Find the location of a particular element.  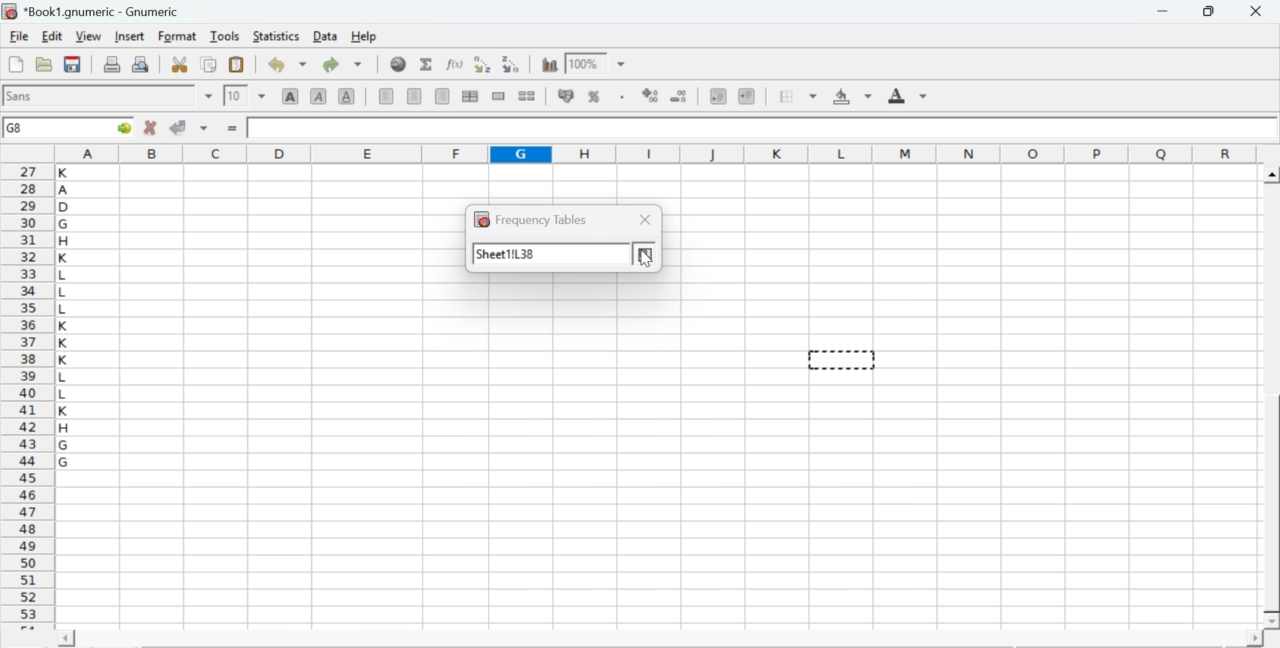

italic is located at coordinates (320, 95).